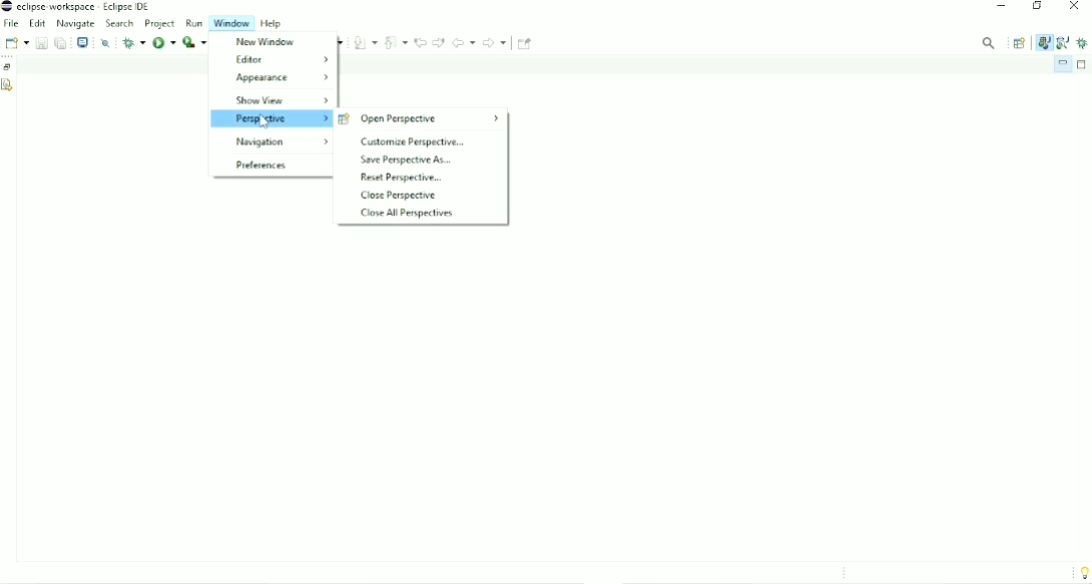  Describe the element at coordinates (120, 23) in the screenshot. I see `Search` at that location.